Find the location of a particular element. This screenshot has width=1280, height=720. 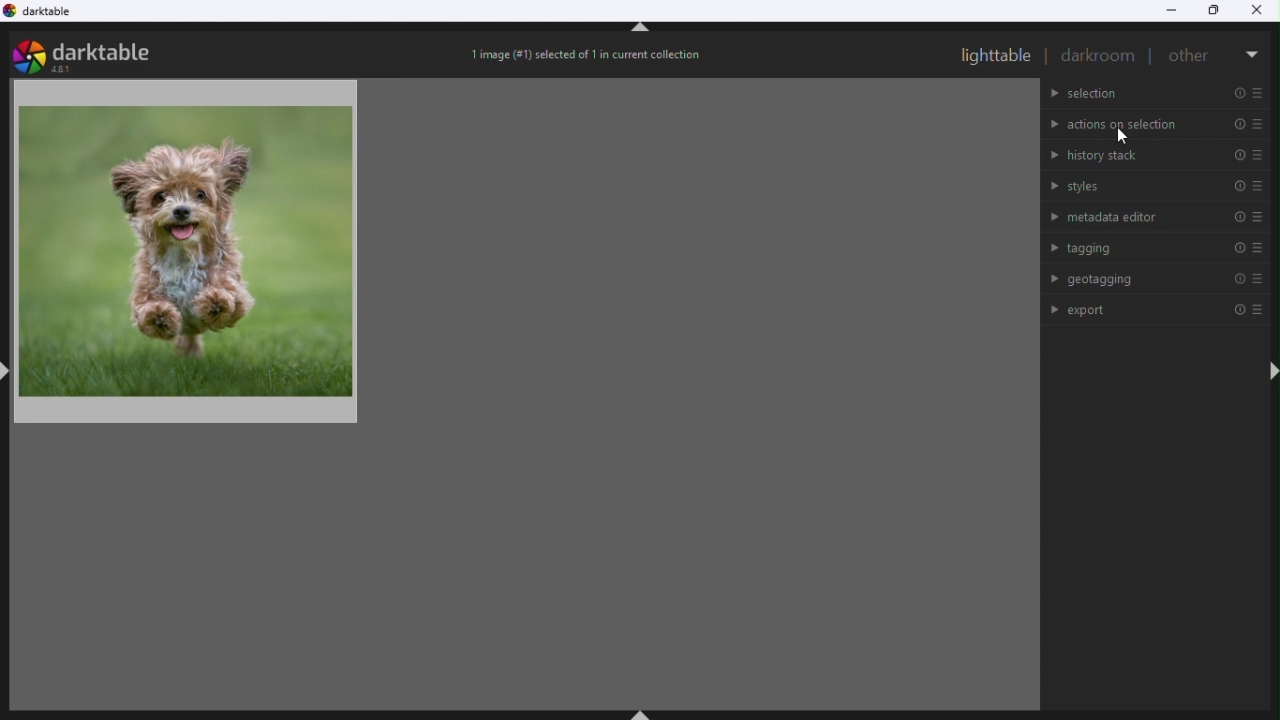

Export is located at coordinates (1158, 308).